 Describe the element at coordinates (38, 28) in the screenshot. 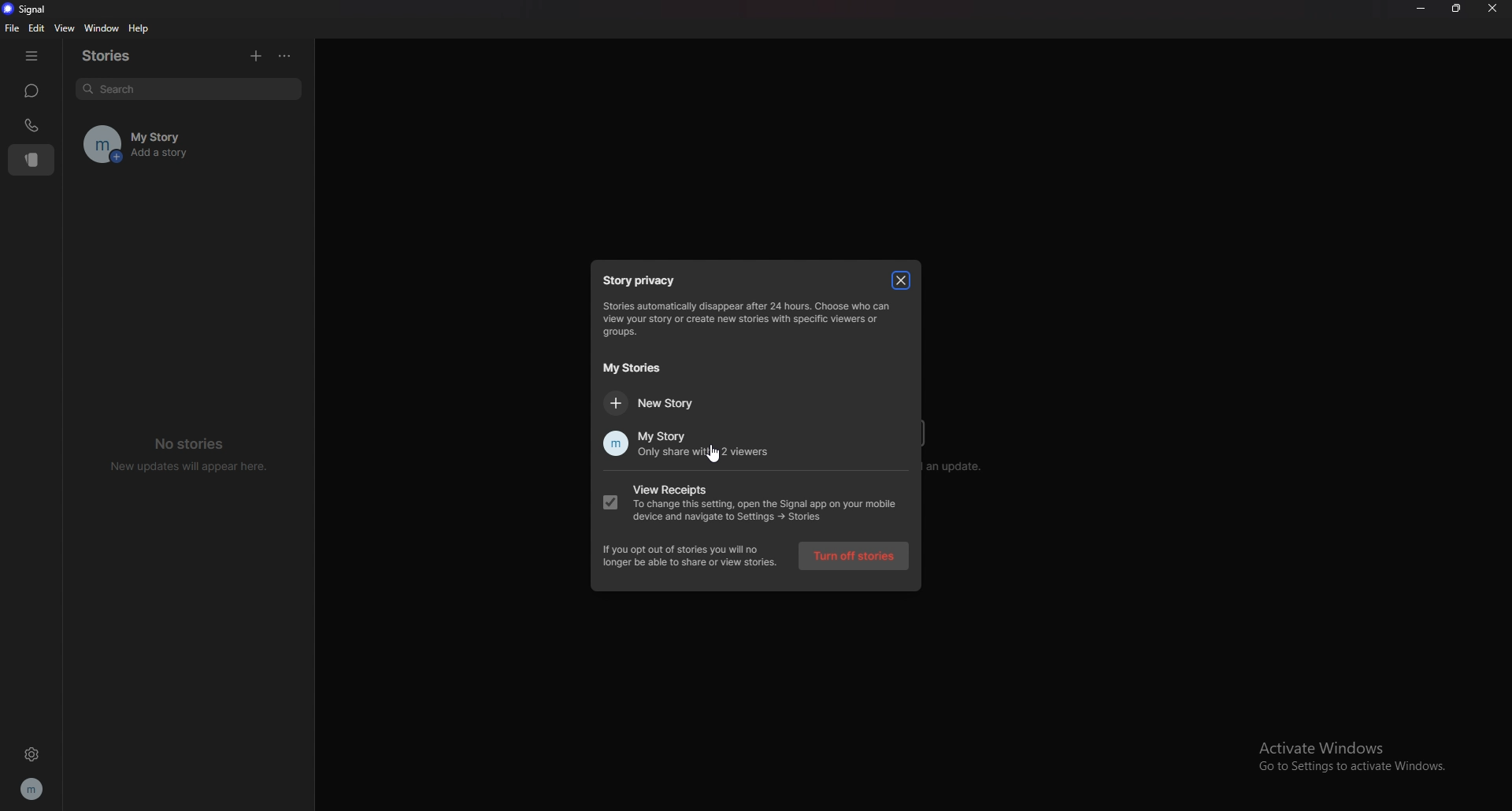

I see `edit` at that location.